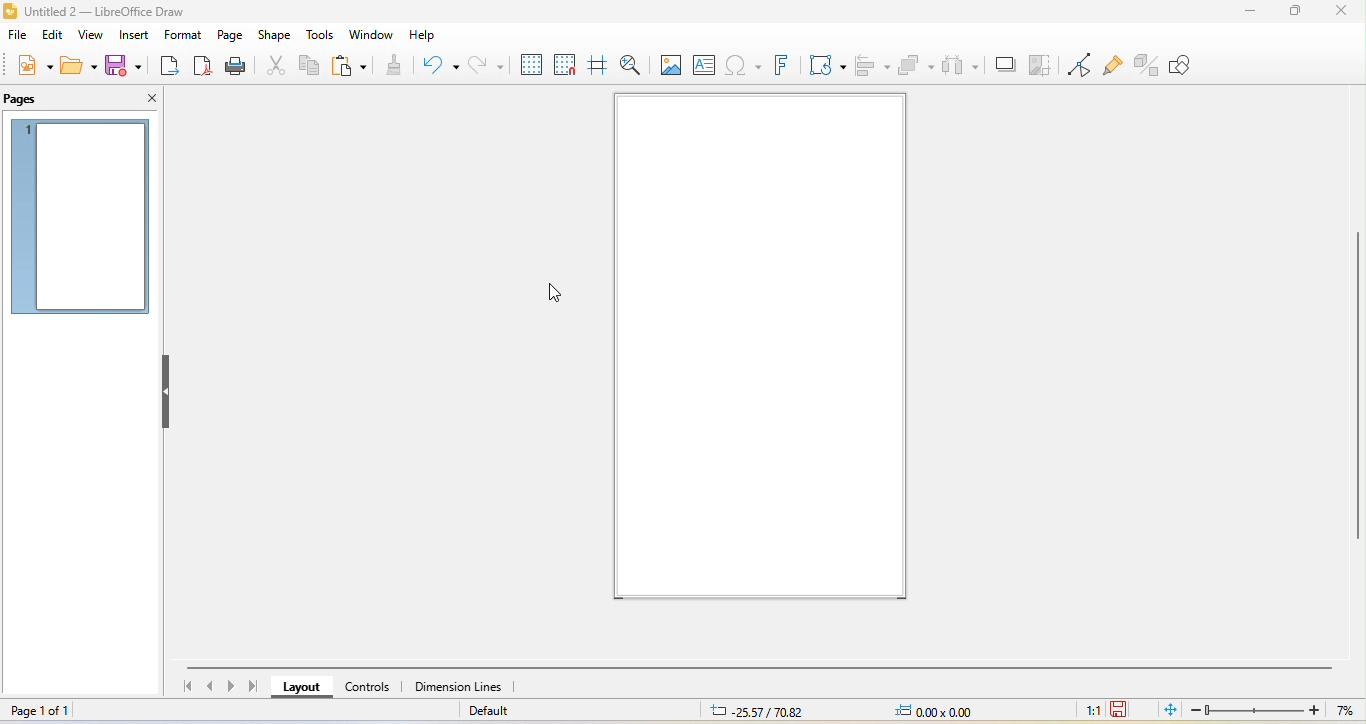 The width and height of the screenshot is (1366, 724). What do you see at coordinates (670, 64) in the screenshot?
I see `image` at bounding box center [670, 64].